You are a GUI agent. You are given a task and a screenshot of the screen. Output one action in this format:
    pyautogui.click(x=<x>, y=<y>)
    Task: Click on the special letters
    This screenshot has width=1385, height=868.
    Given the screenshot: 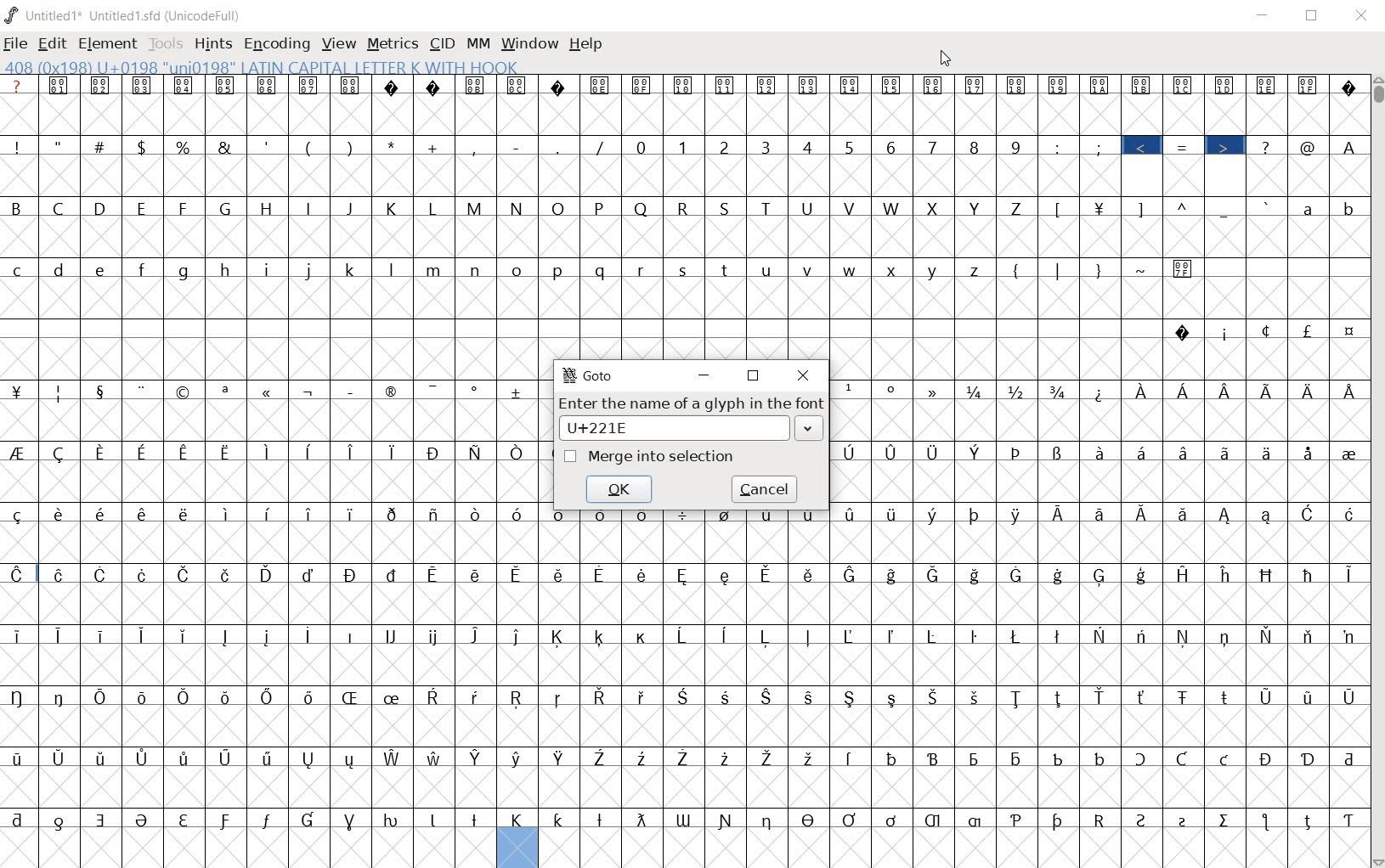 What is the action you would take?
    pyautogui.click(x=681, y=819)
    